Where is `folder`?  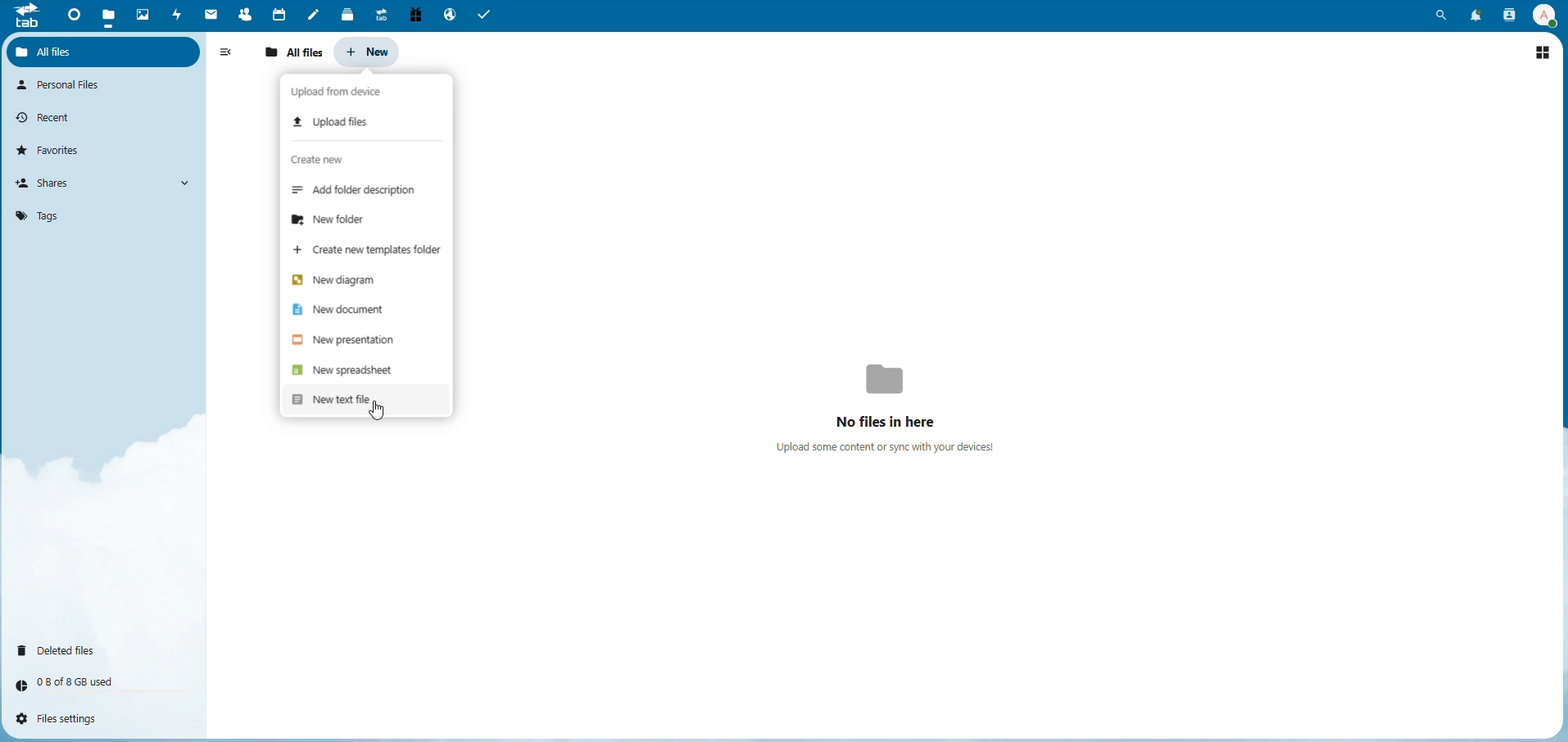
folder is located at coordinates (338, 222).